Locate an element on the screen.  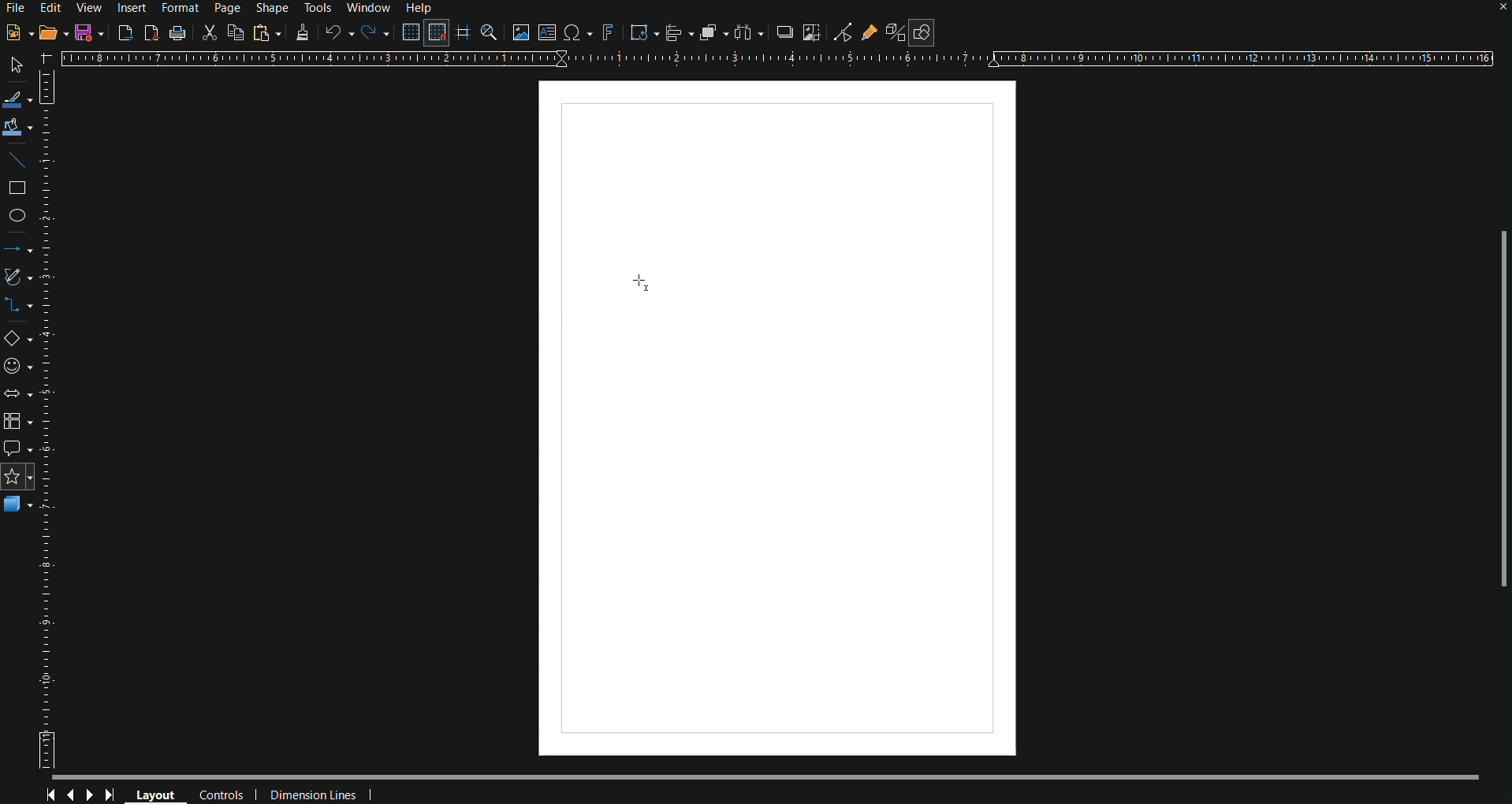
Paste is located at coordinates (266, 33).